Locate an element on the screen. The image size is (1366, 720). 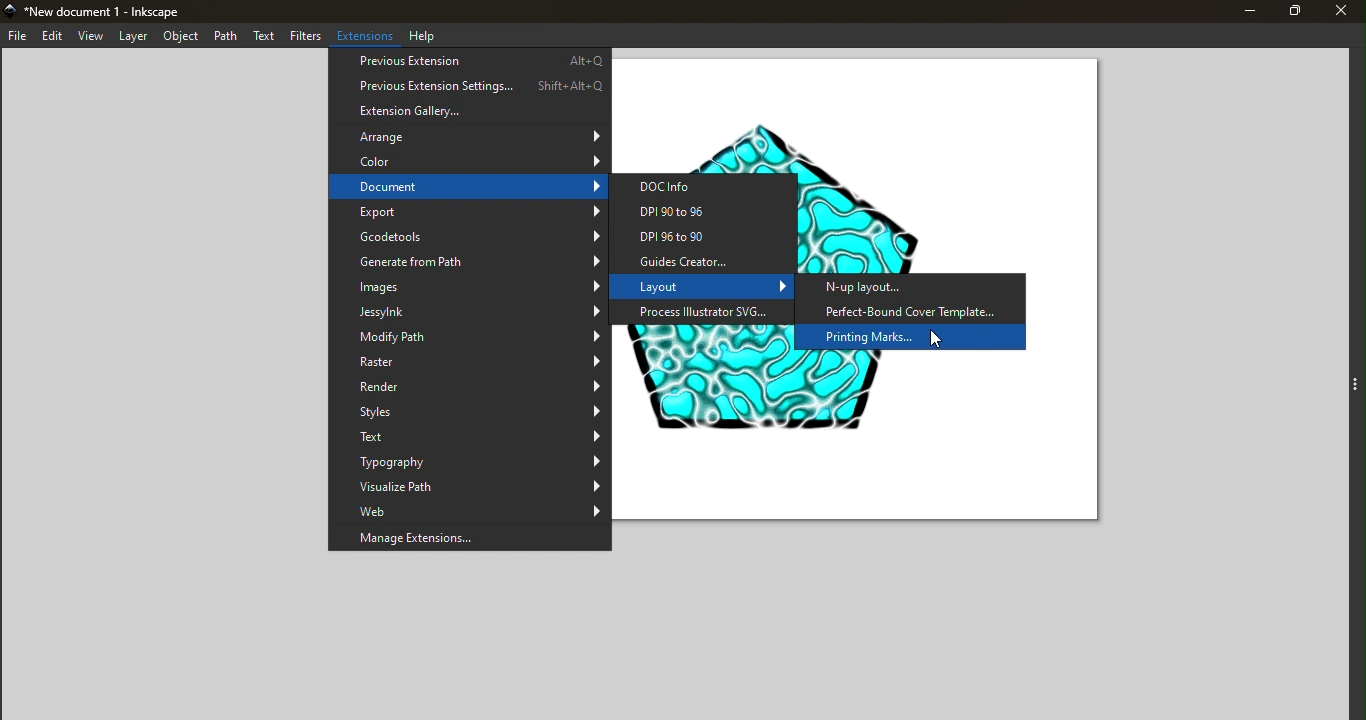
View is located at coordinates (93, 36).